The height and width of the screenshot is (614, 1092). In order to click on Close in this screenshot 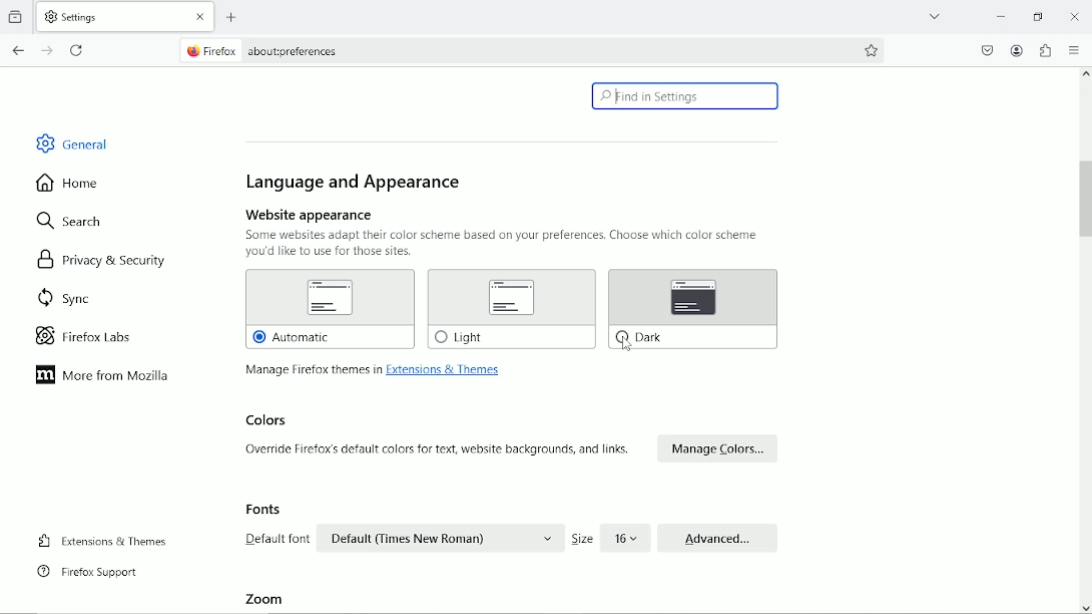, I will do `click(1076, 15)`.